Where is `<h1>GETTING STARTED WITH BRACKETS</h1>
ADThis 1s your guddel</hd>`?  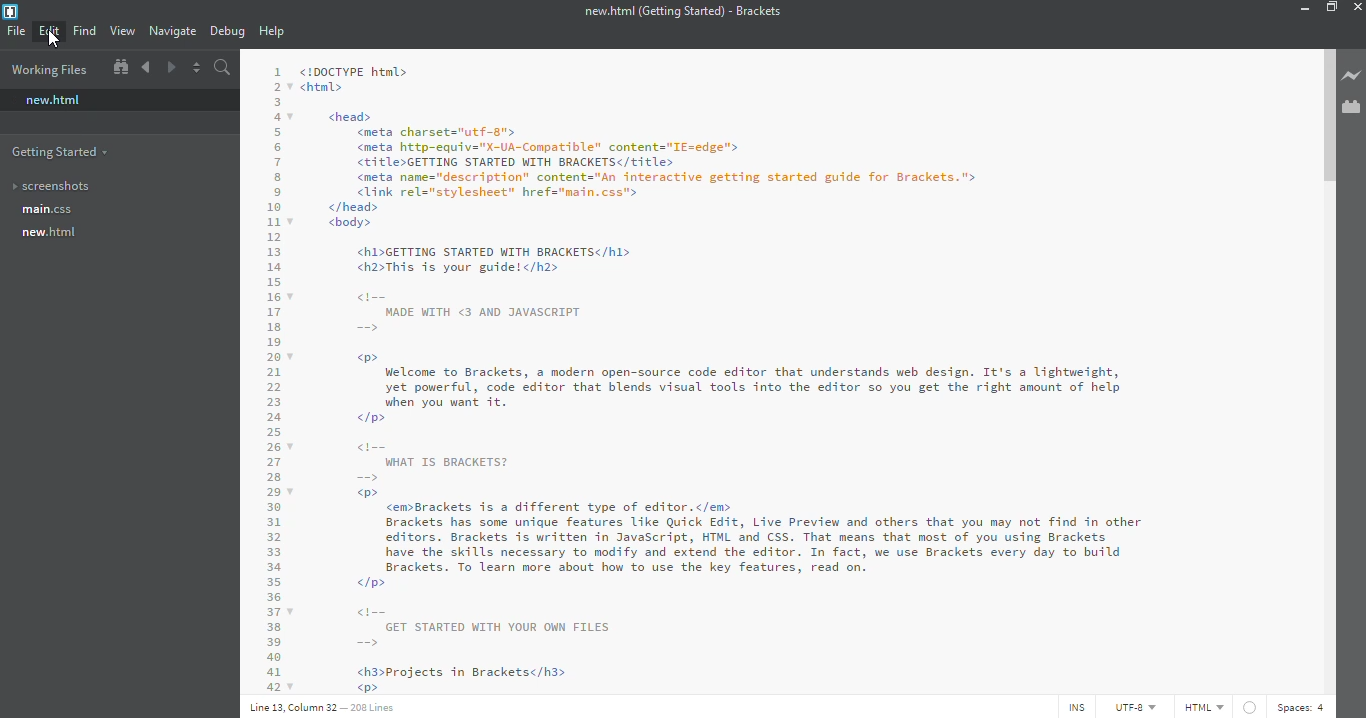
<h1>GETTING STARTED WITH BRACKETS</h1>
ADThis 1s your guddel</hd> is located at coordinates (505, 258).